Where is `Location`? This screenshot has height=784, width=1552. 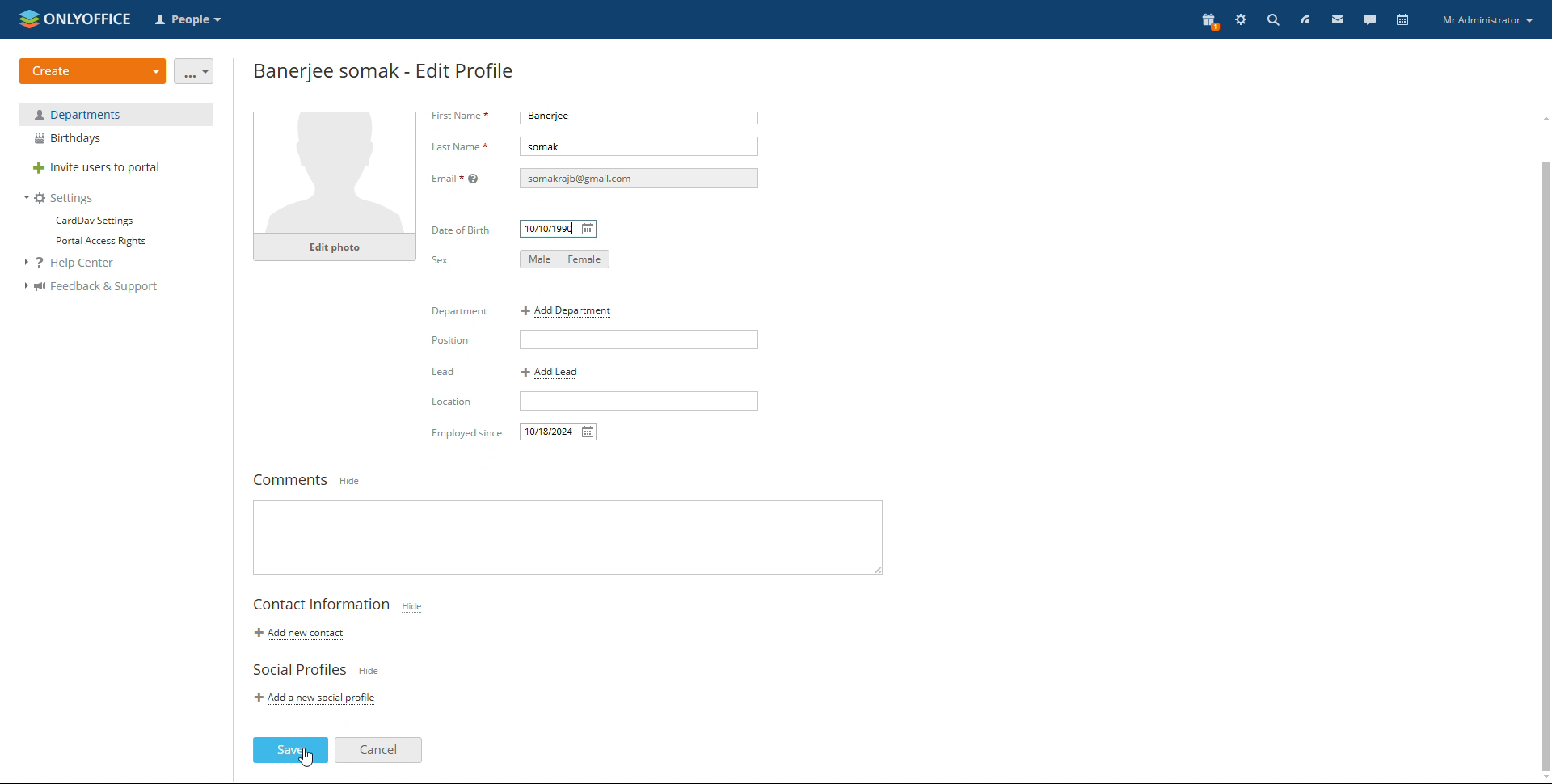 Location is located at coordinates (458, 434).